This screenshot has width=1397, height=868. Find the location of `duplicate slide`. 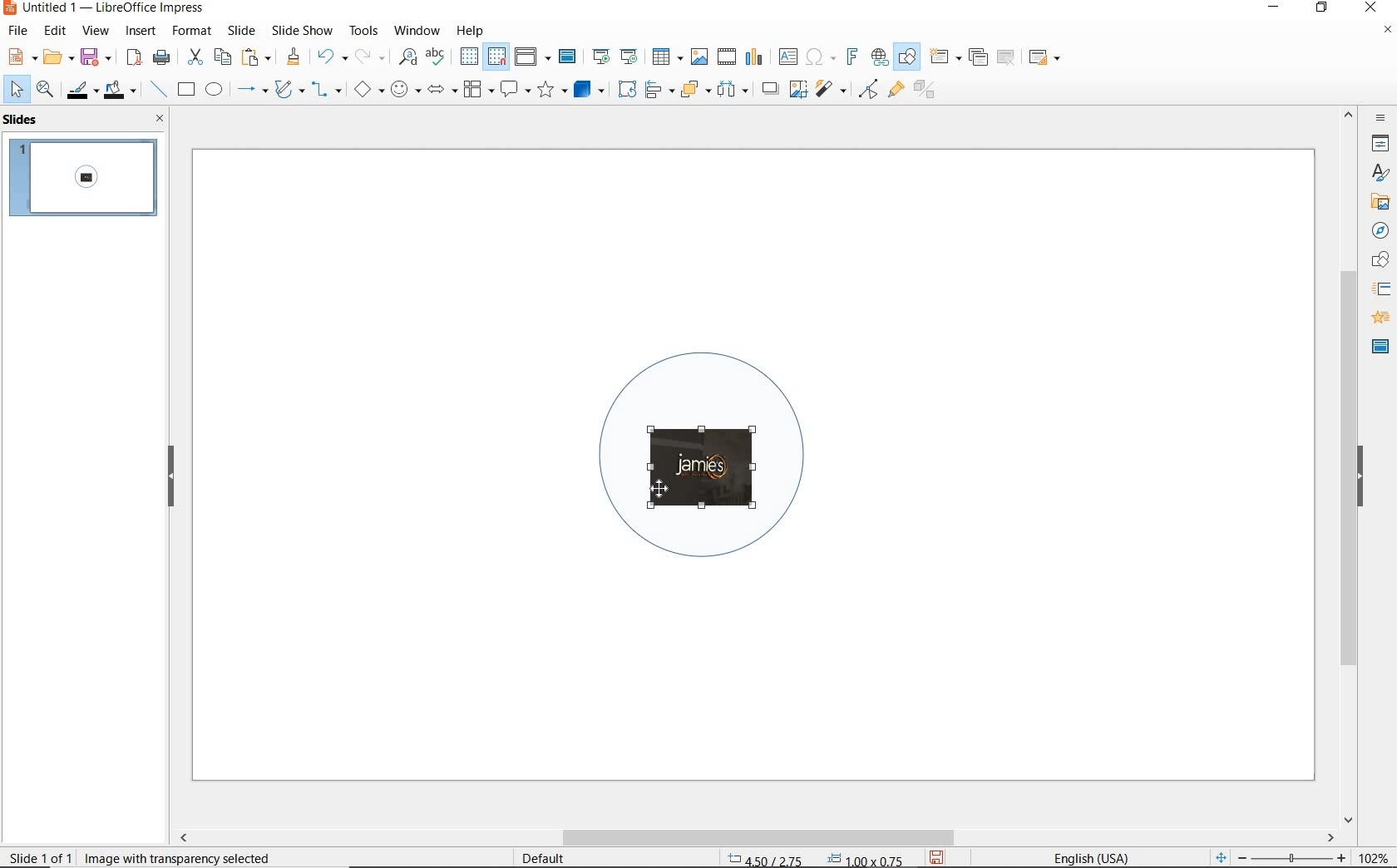

duplicate slide is located at coordinates (978, 57).